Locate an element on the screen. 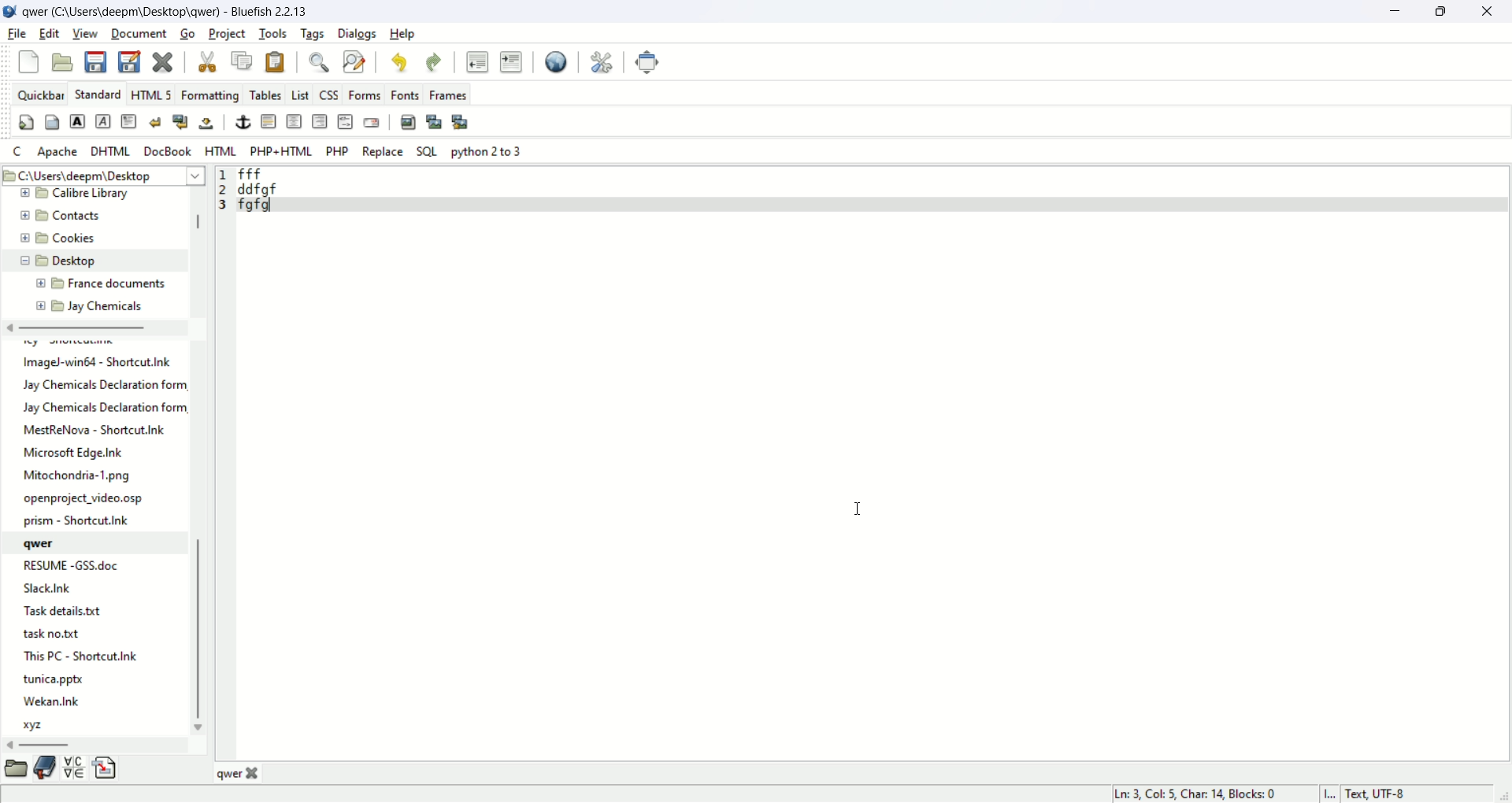 This screenshot has width=1512, height=803. HTML comment is located at coordinates (343, 122).